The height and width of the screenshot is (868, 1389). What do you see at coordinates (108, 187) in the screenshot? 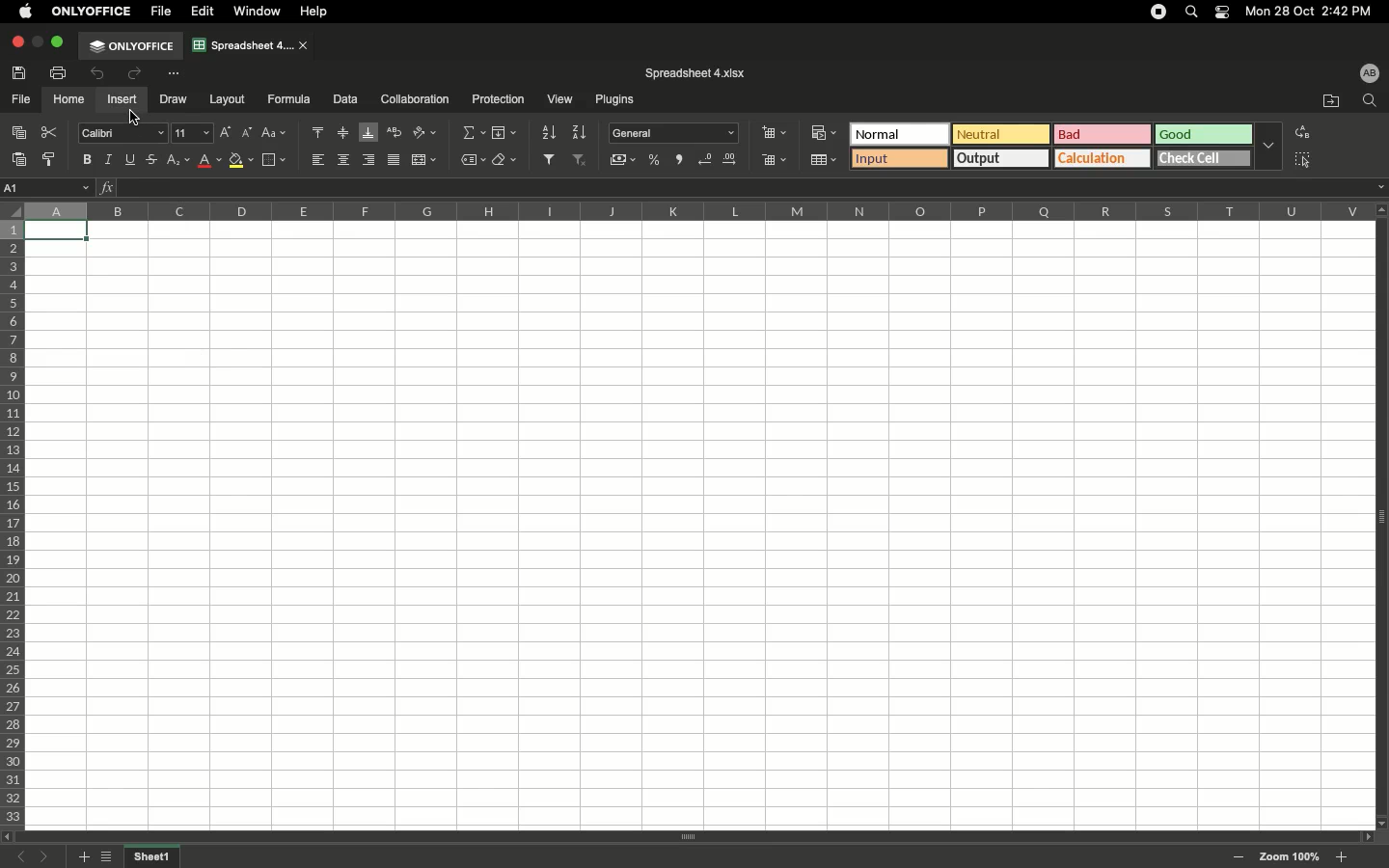
I see `Insert function` at bounding box center [108, 187].